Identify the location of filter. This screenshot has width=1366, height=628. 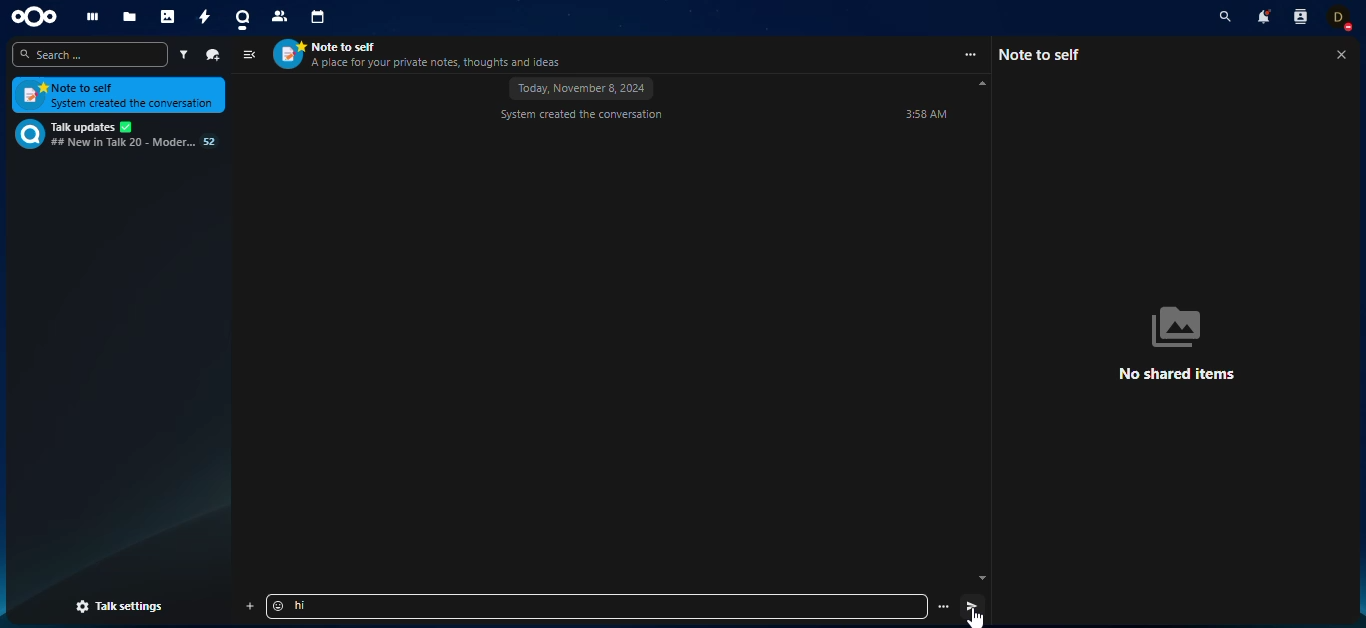
(182, 55).